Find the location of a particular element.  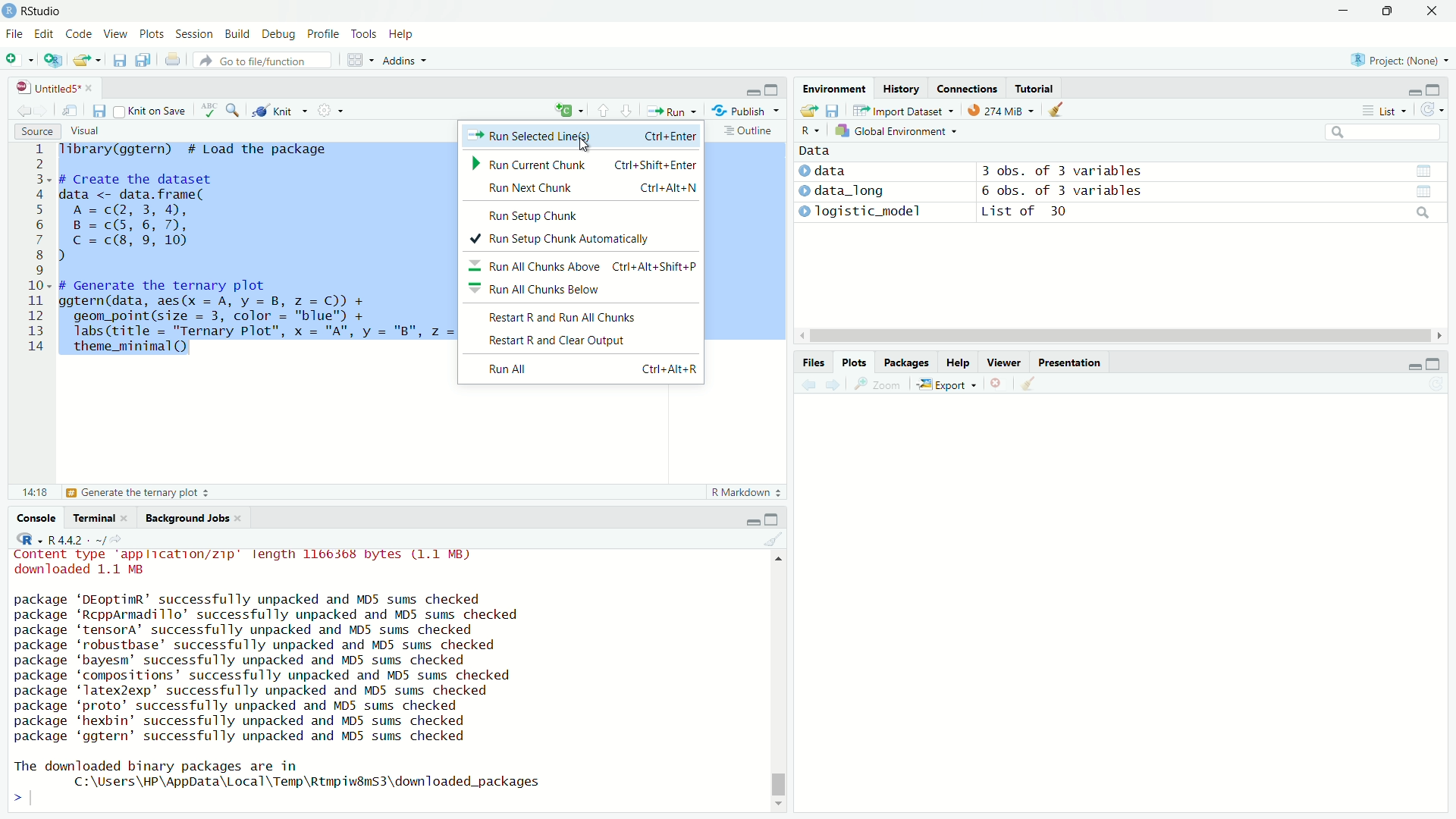

Global Environment «= is located at coordinates (898, 130).